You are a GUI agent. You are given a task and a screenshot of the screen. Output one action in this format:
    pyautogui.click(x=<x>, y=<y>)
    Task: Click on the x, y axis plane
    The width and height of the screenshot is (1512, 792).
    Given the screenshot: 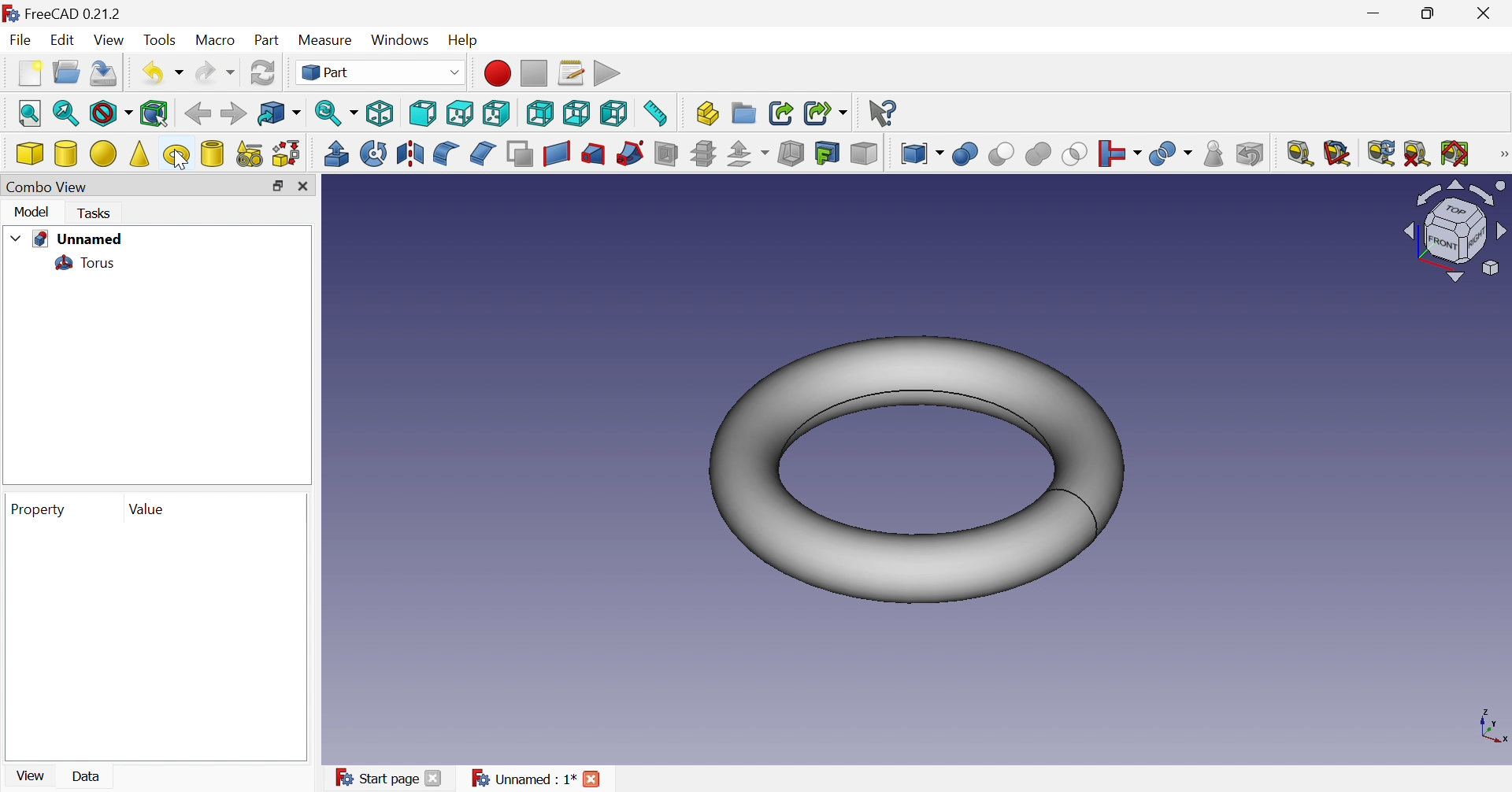 What is the action you would take?
    pyautogui.click(x=1492, y=724)
    